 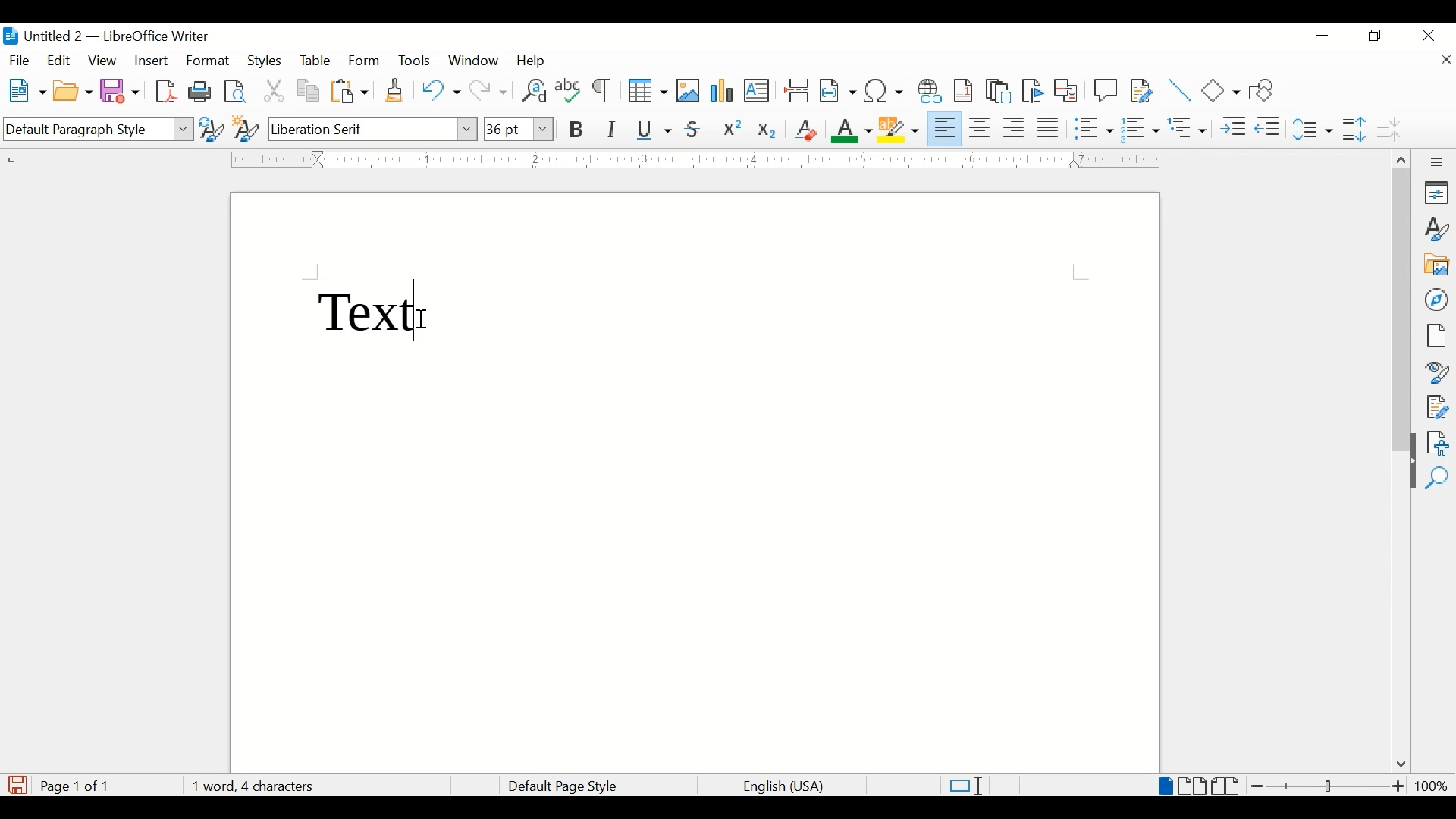 I want to click on single page view, so click(x=1166, y=786).